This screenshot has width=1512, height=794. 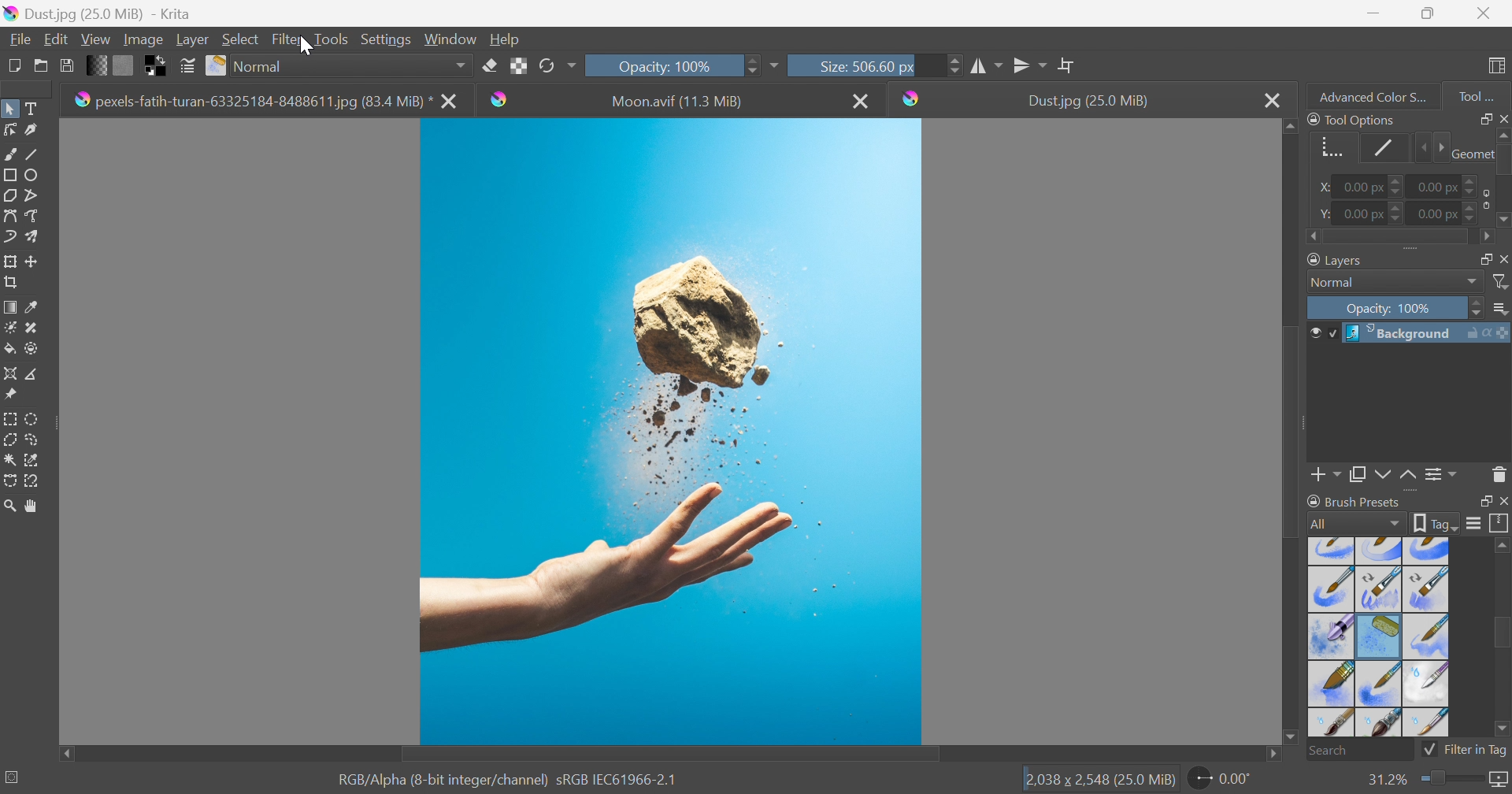 I want to click on Filter, so click(x=289, y=39).